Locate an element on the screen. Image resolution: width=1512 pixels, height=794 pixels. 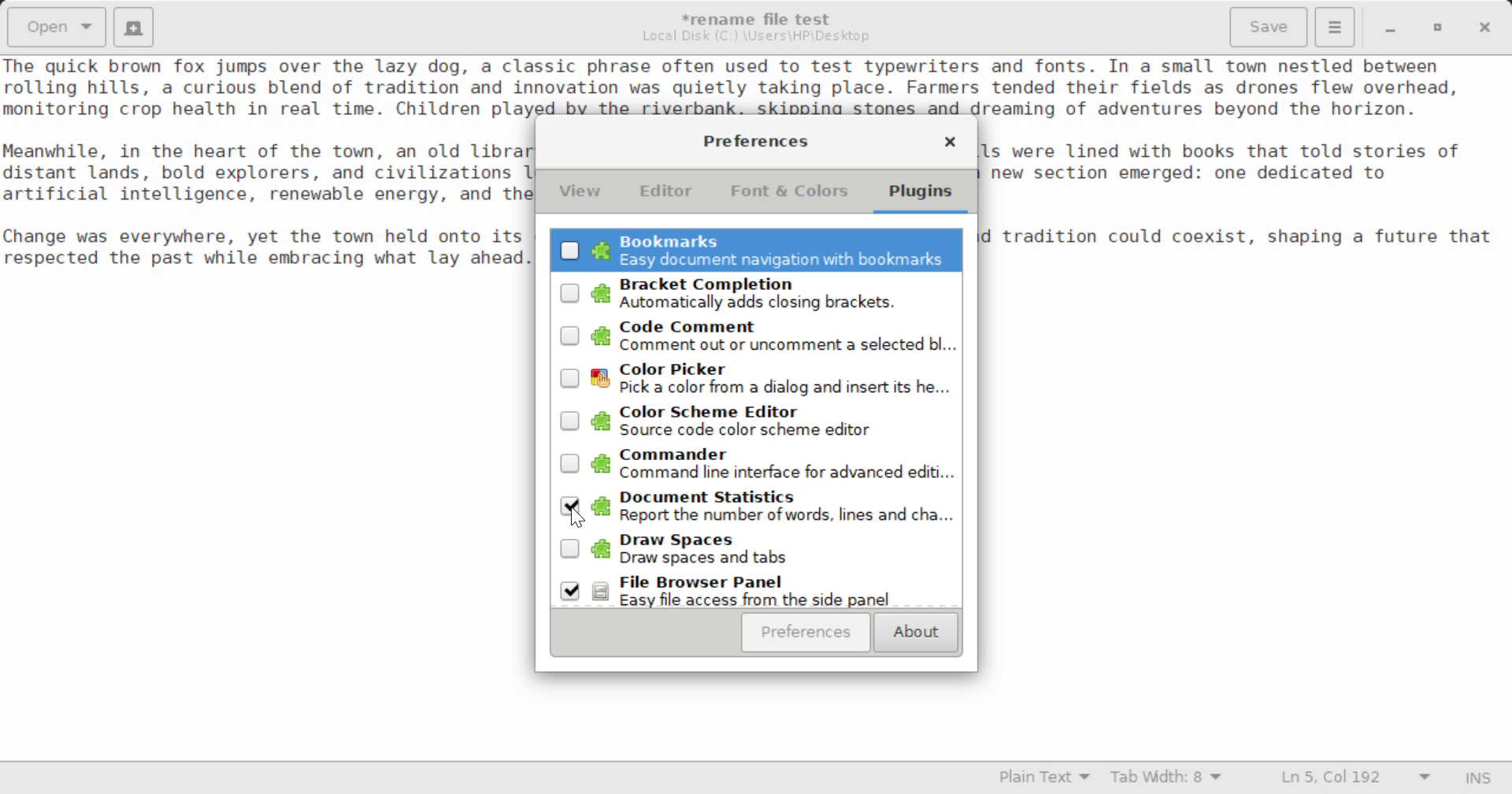
Font & Colors Tab is located at coordinates (789, 197).